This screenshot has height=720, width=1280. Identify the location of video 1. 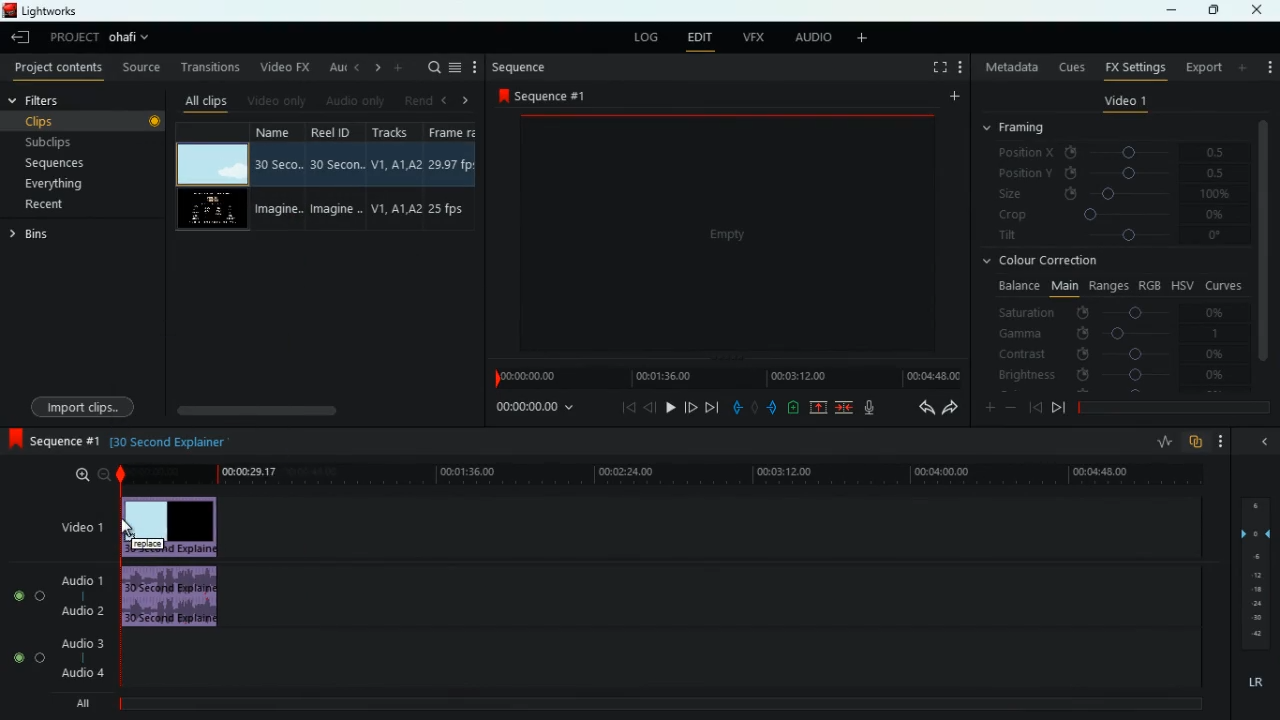
(1126, 101).